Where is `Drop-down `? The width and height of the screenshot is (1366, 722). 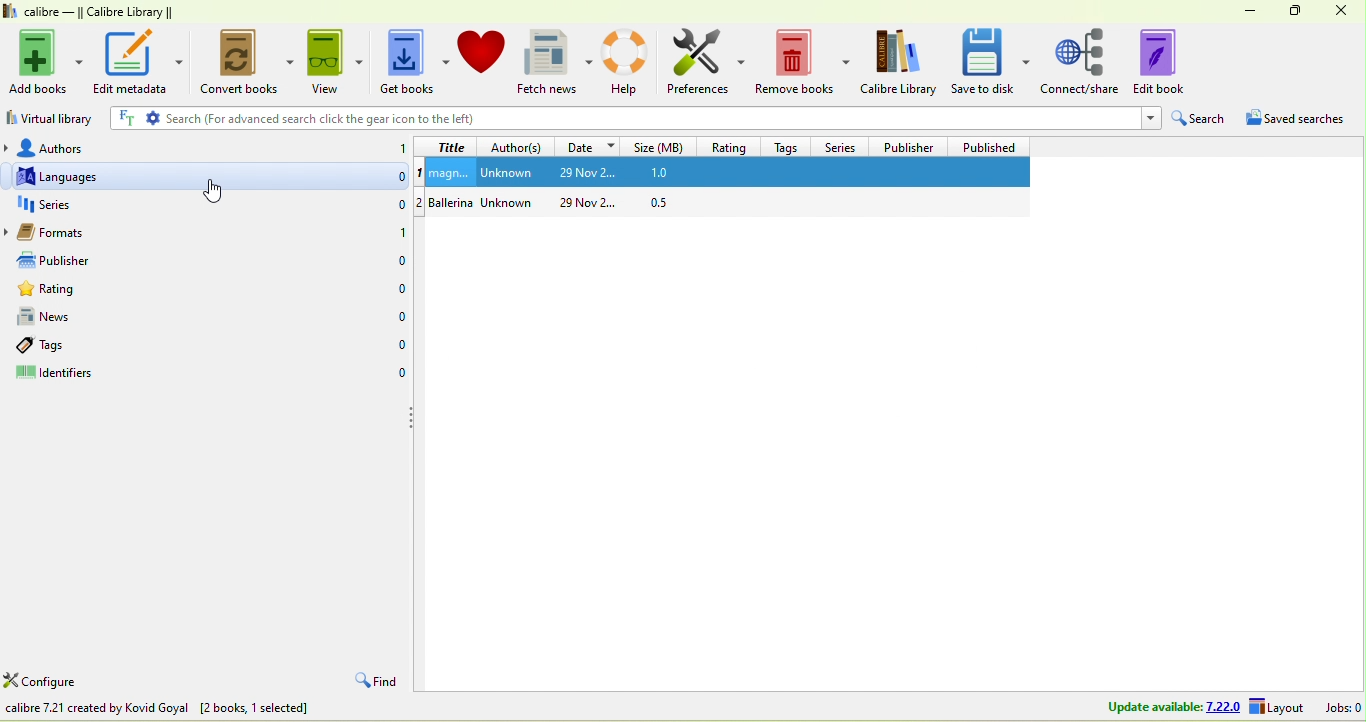 Drop-down  is located at coordinates (1149, 119).